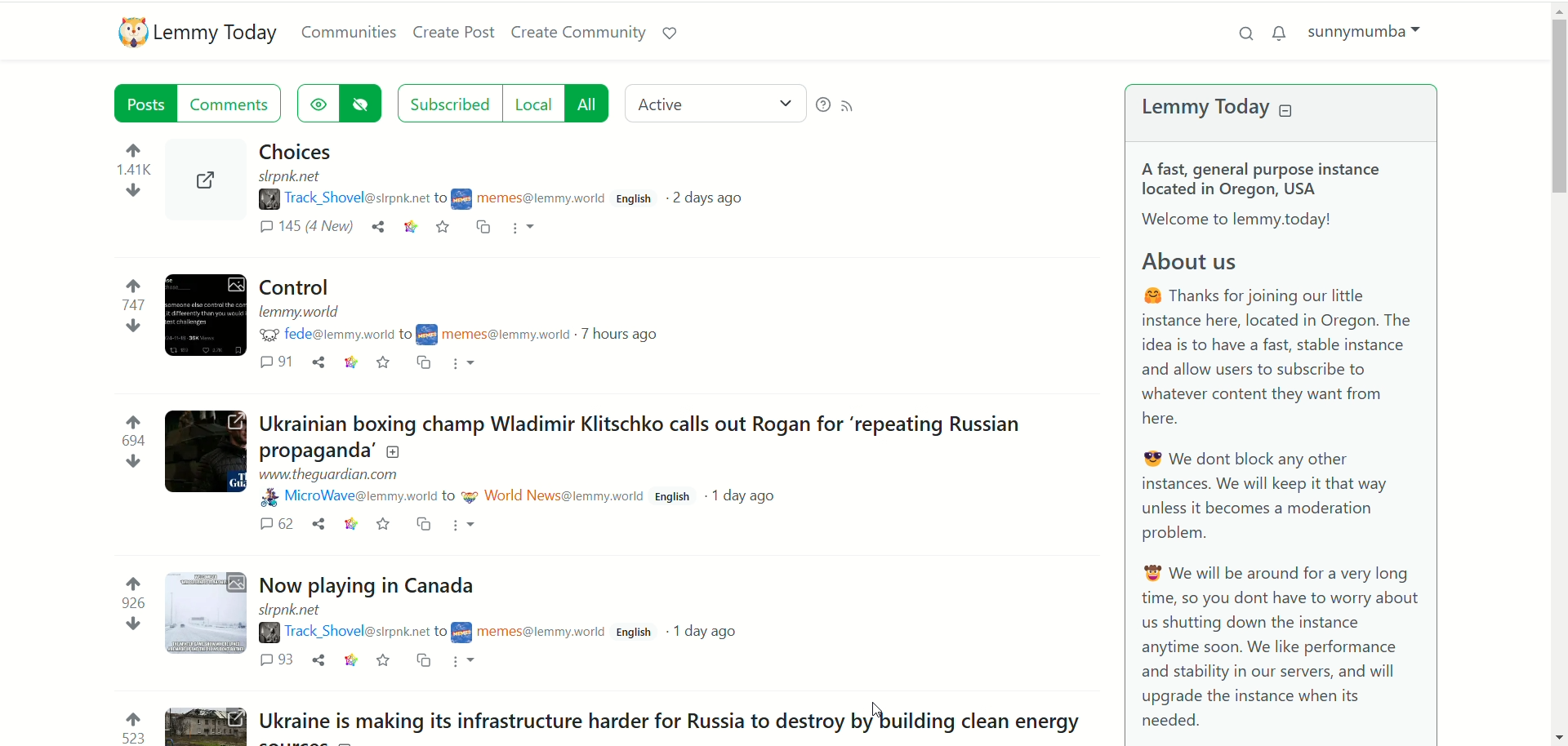 The image size is (1568, 746). I want to click on more, so click(467, 527).